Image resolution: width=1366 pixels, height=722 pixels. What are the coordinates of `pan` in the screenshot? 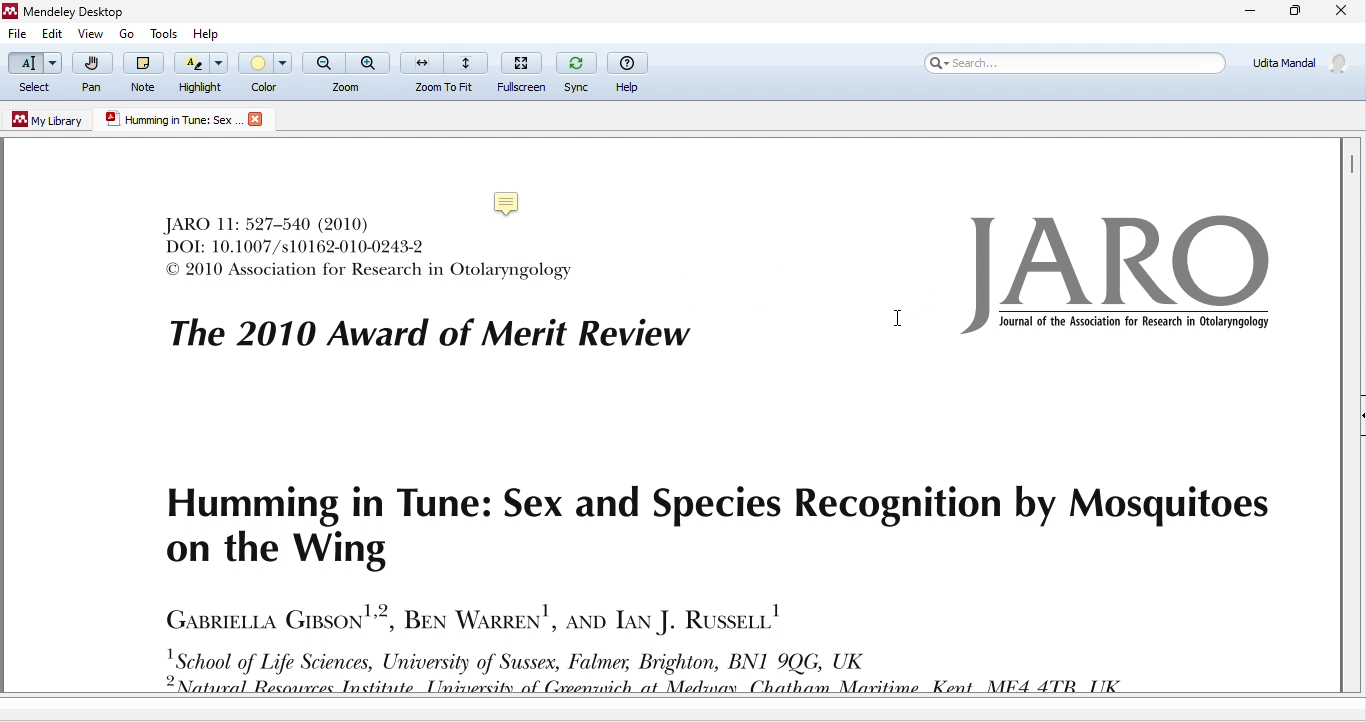 It's located at (97, 74).